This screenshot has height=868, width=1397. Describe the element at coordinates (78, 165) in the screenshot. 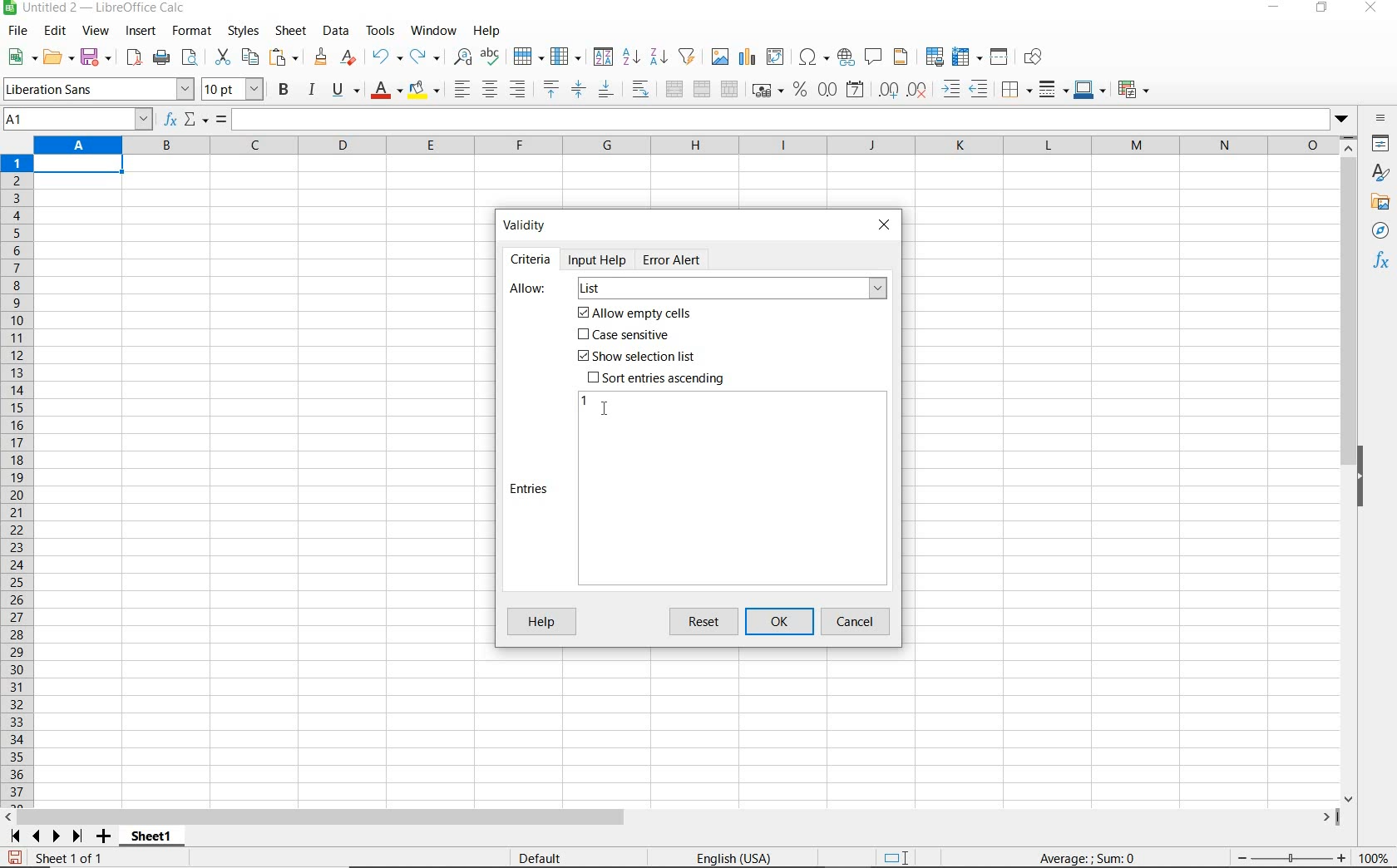

I see `Selected cell` at that location.